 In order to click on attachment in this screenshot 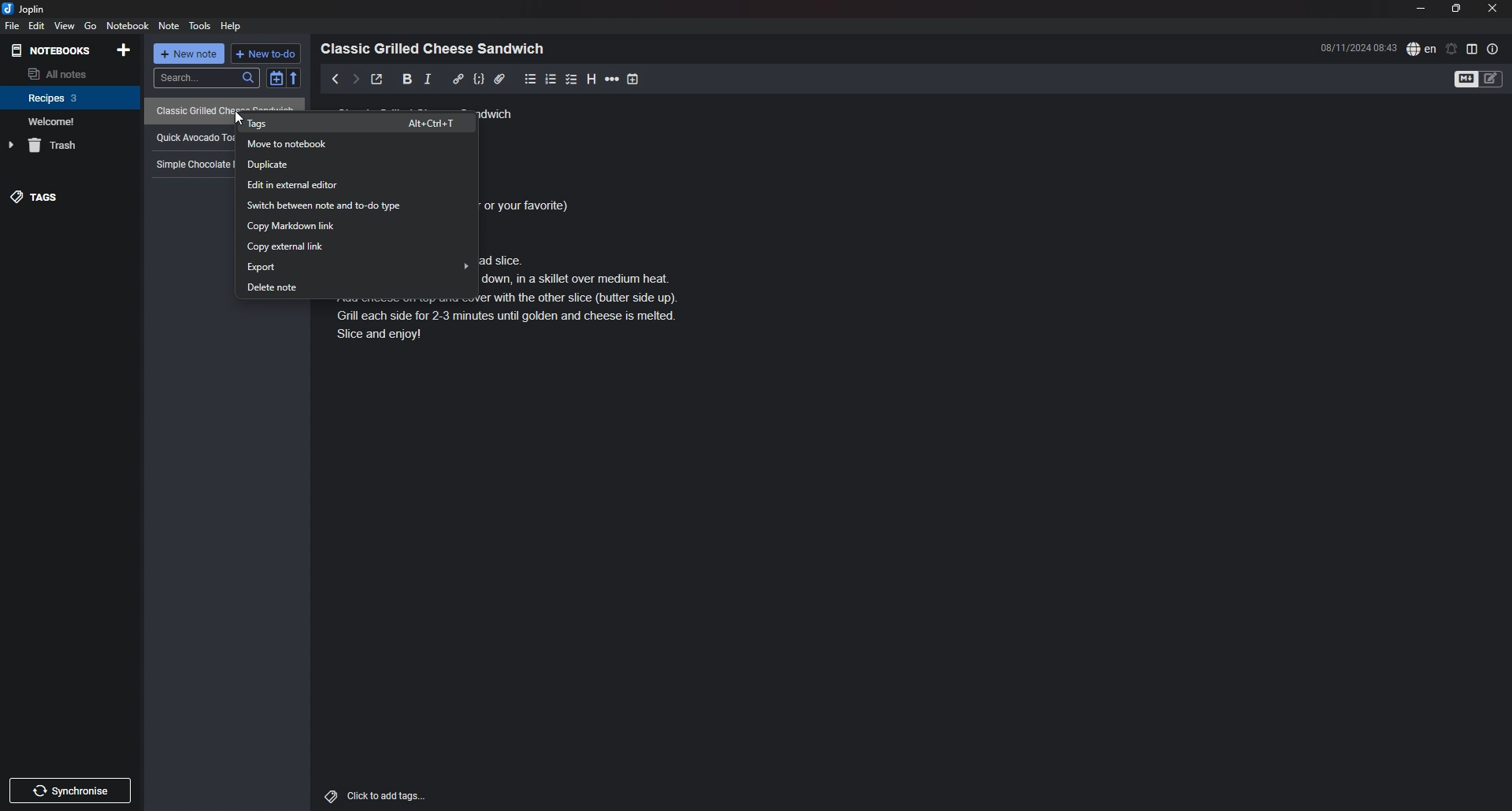, I will do `click(499, 79)`.